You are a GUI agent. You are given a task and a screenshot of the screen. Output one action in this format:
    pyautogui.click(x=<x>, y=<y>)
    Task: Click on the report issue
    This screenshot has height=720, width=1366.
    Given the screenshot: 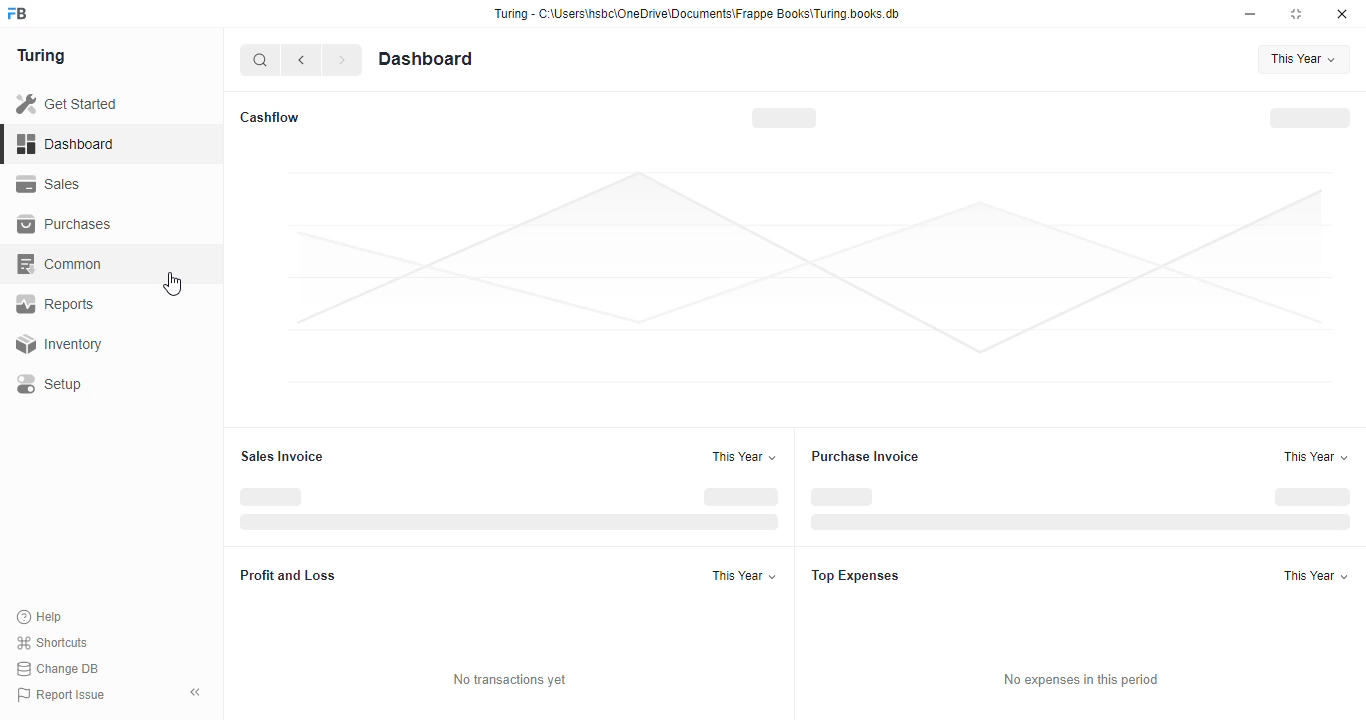 What is the action you would take?
    pyautogui.click(x=61, y=695)
    